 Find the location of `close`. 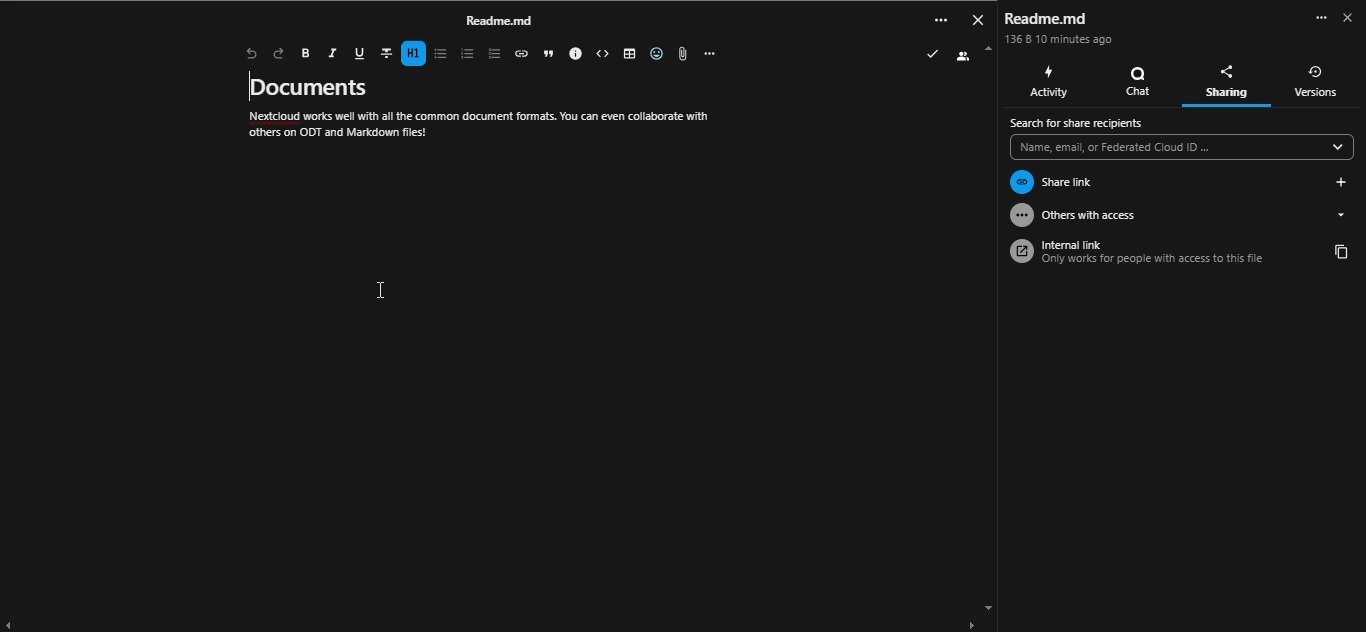

close is located at coordinates (1347, 17).